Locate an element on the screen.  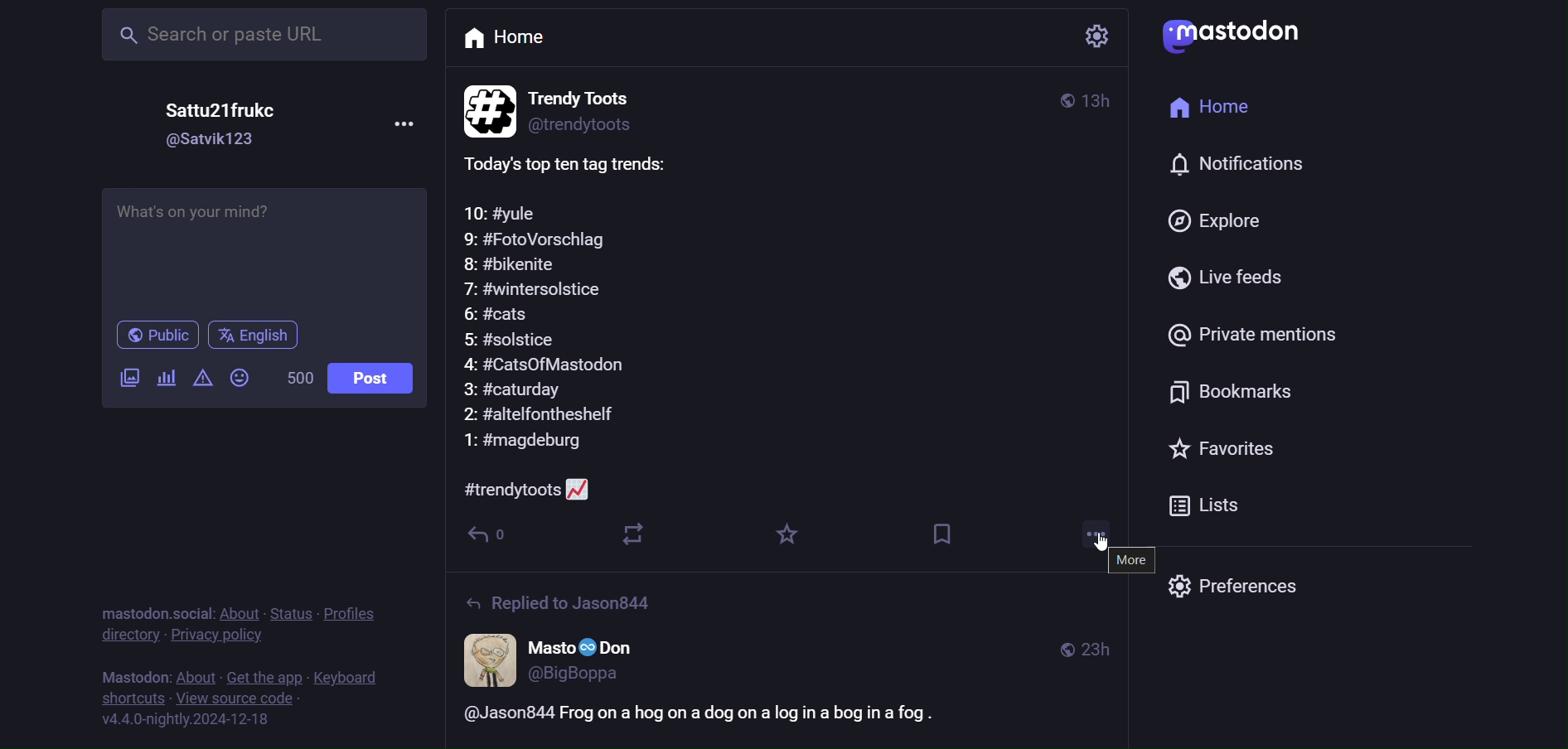
menu is located at coordinates (399, 122).